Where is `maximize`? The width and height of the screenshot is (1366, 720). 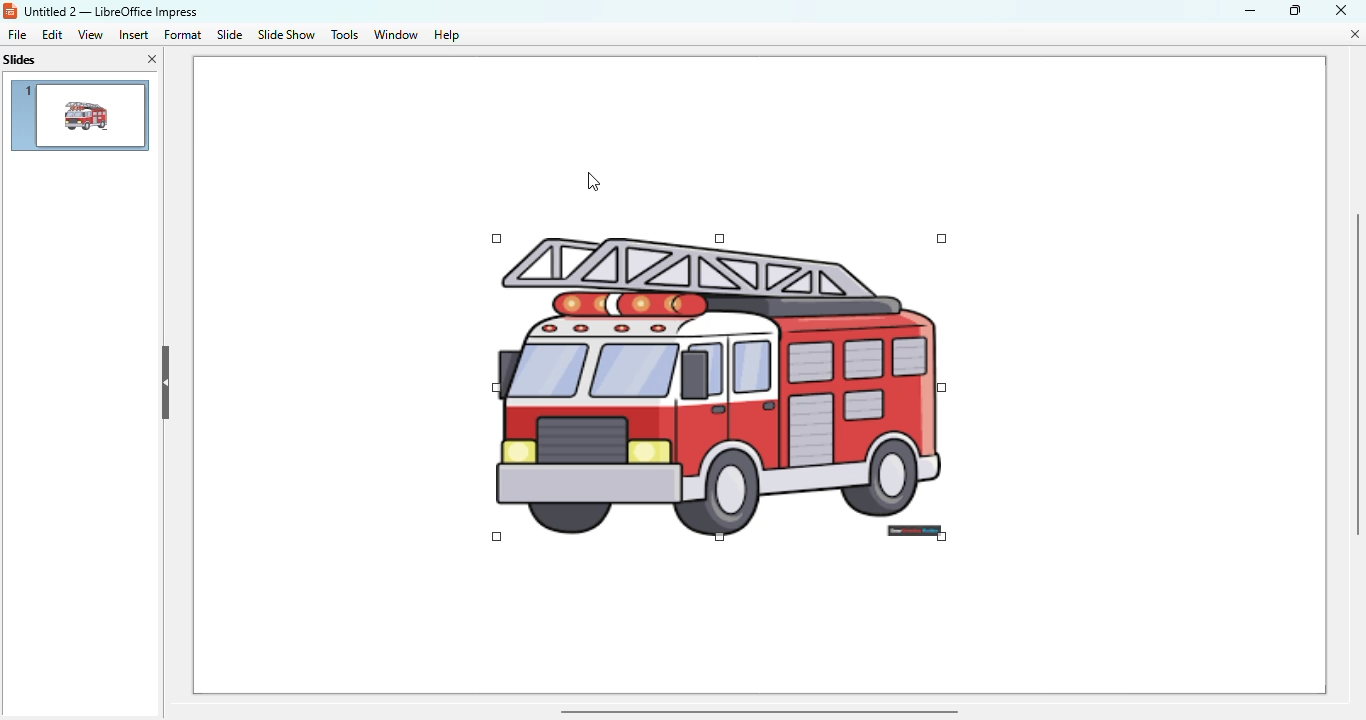 maximize is located at coordinates (1297, 9).